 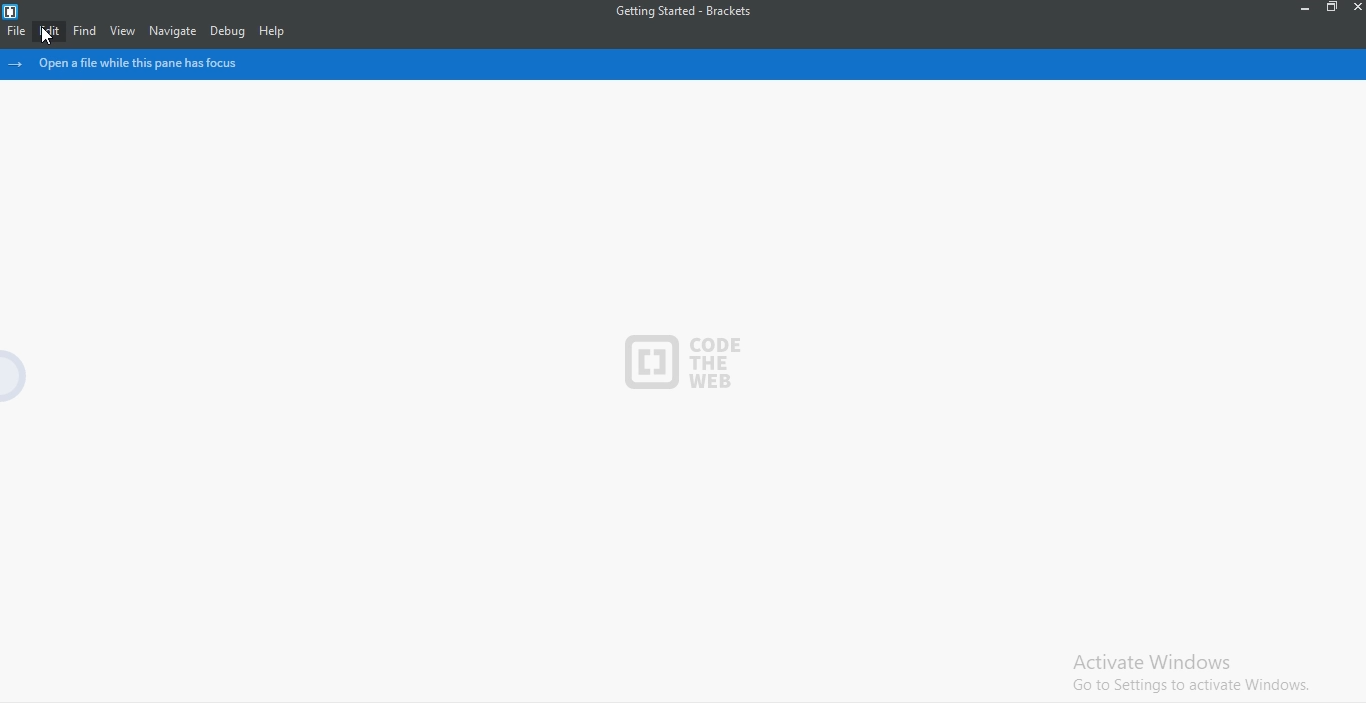 I want to click on close, so click(x=1357, y=11).